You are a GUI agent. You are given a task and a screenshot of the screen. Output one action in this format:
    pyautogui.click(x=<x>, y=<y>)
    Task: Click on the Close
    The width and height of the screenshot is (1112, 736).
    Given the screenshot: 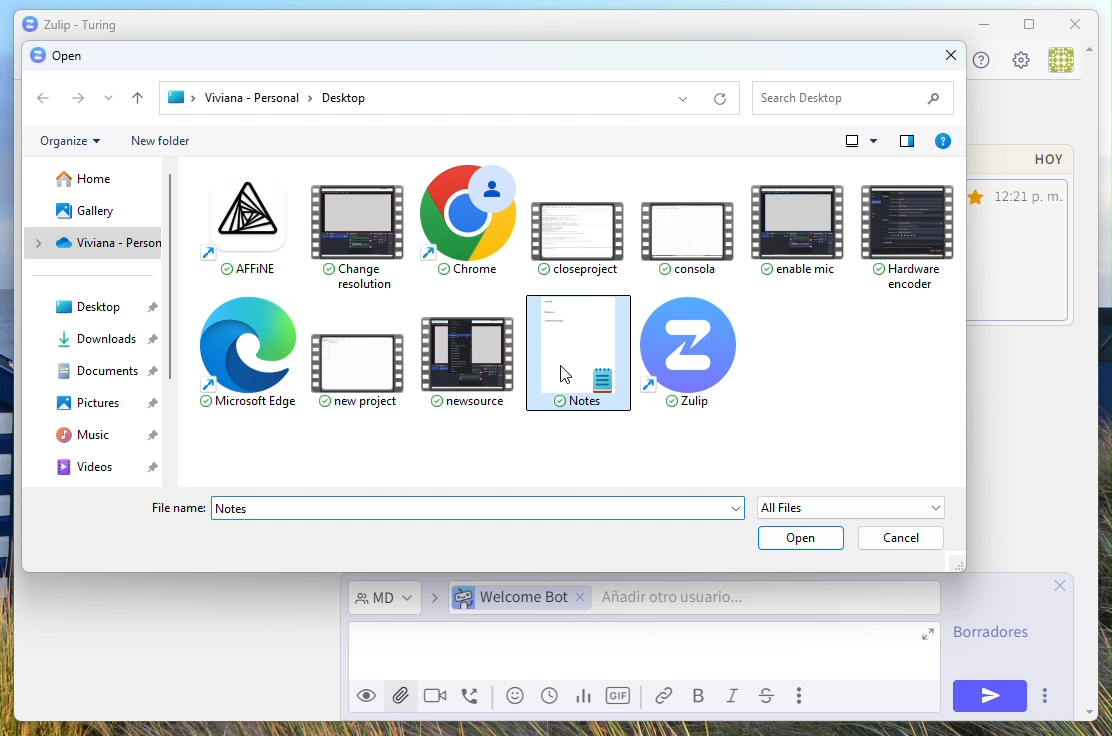 What is the action you would take?
    pyautogui.click(x=1077, y=23)
    